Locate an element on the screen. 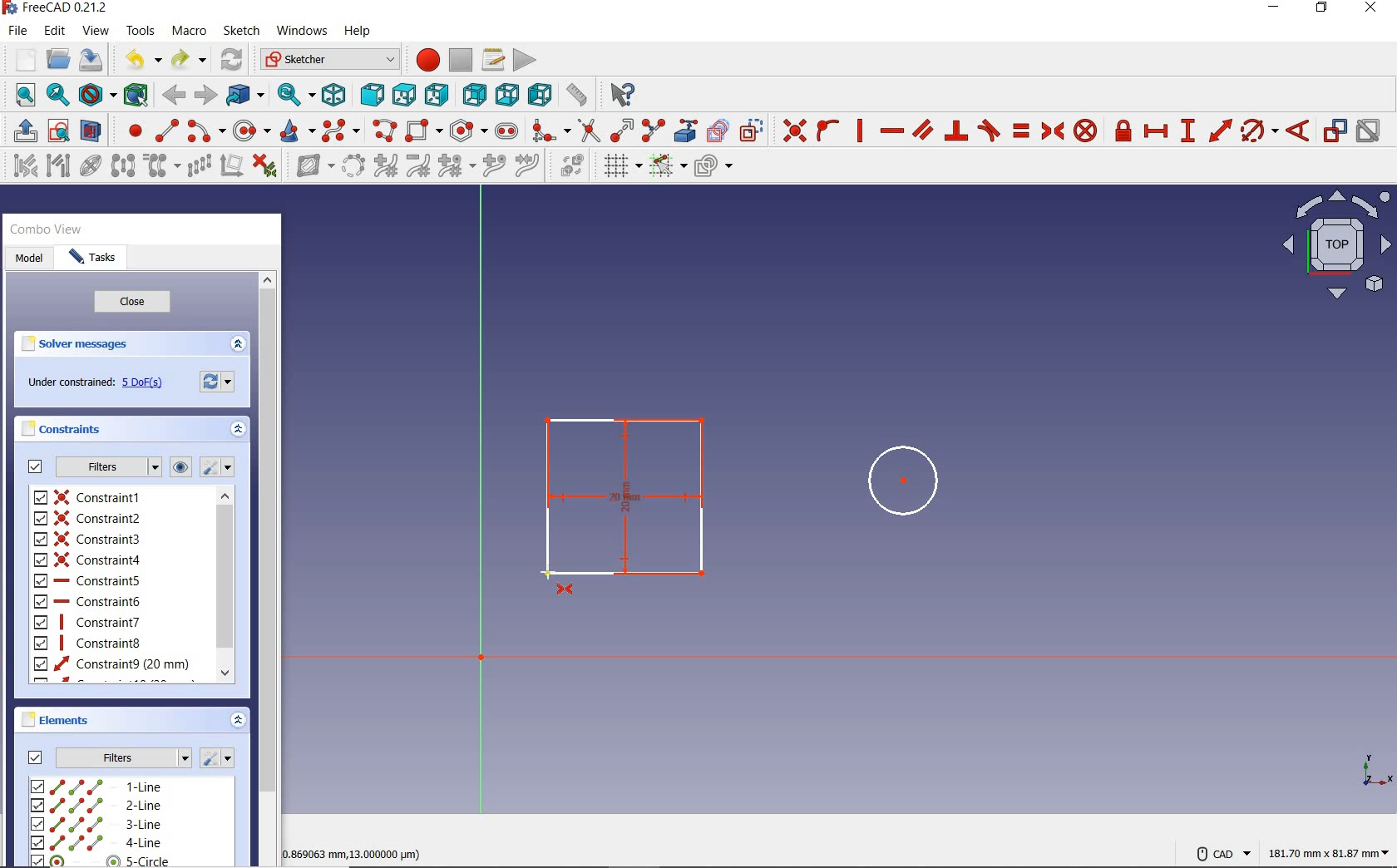 This screenshot has width=1397, height=868. under constrained:  is located at coordinates (69, 381).